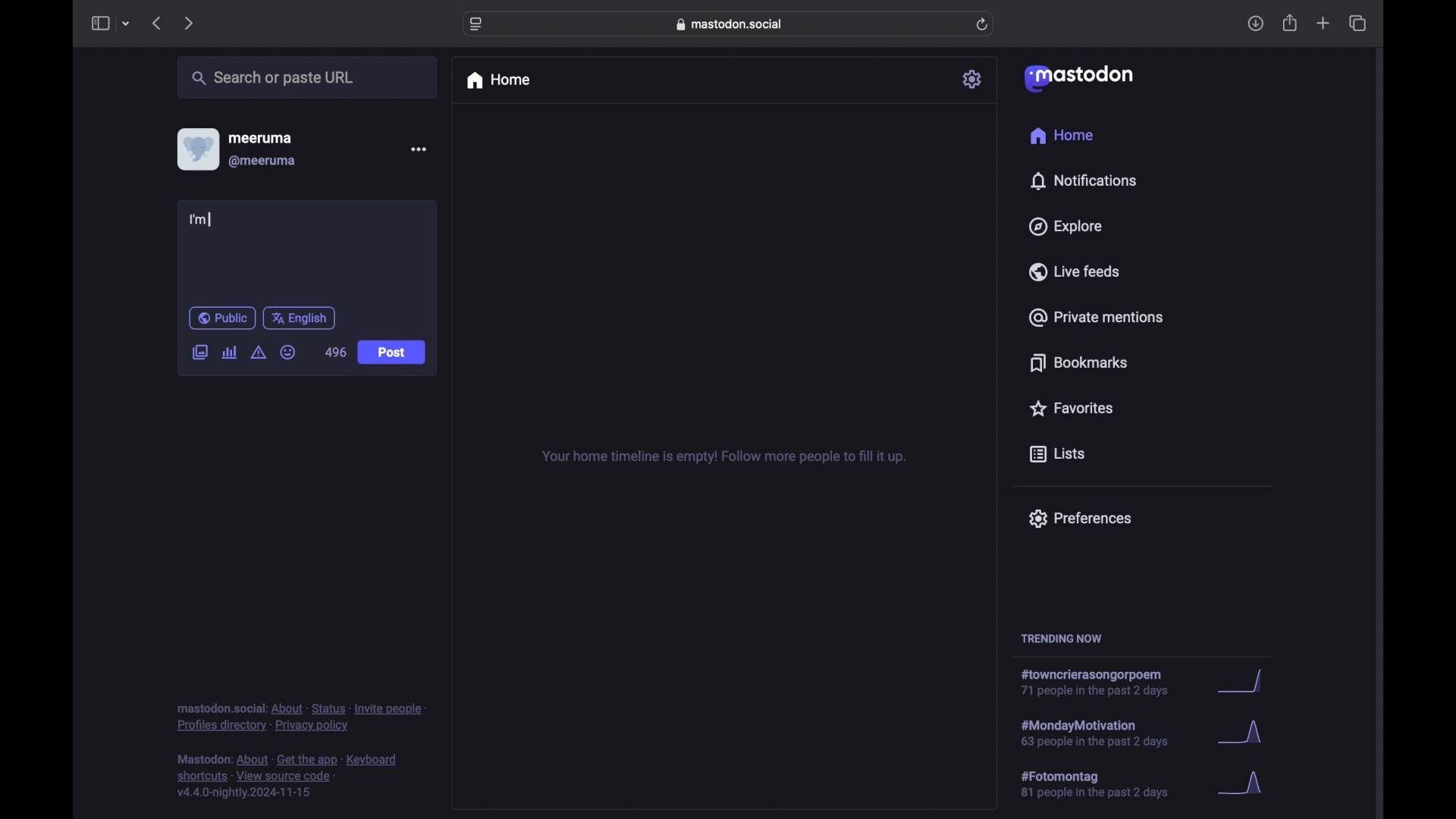  I want to click on show tab overview, so click(1359, 23).